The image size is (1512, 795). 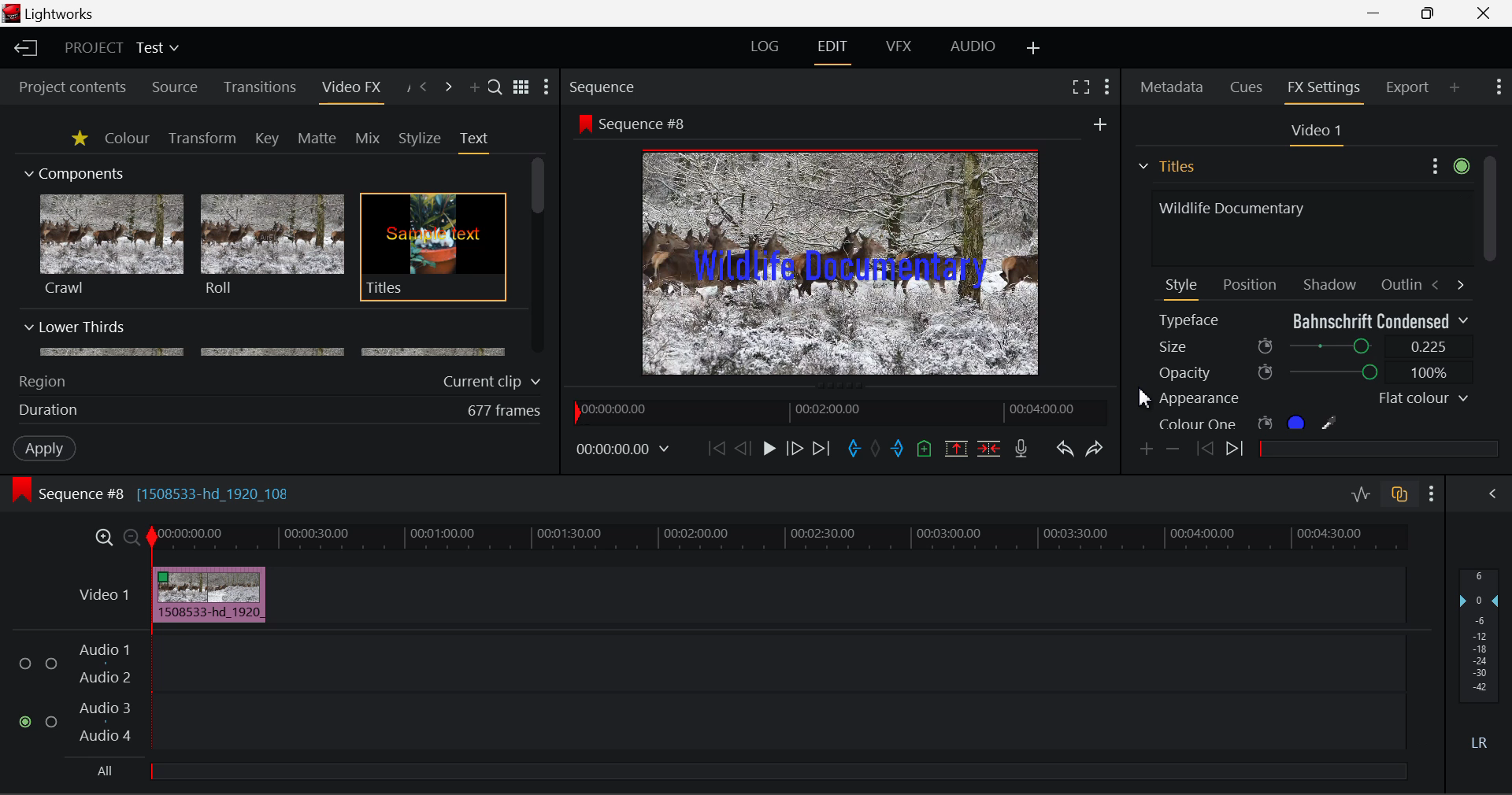 What do you see at coordinates (52, 665) in the screenshot?
I see `checkbox` at bounding box center [52, 665].